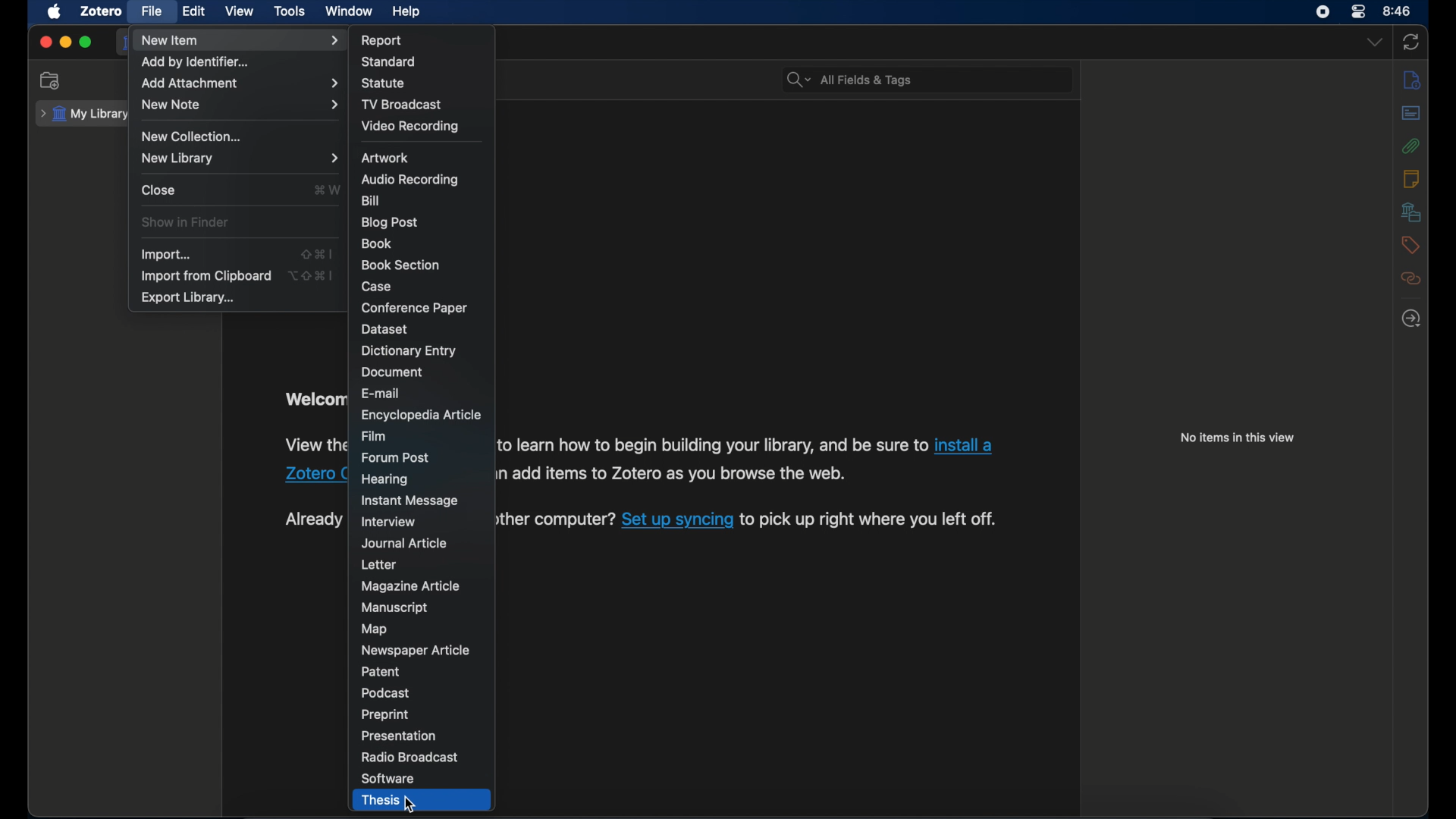  I want to click on tags, so click(1410, 245).